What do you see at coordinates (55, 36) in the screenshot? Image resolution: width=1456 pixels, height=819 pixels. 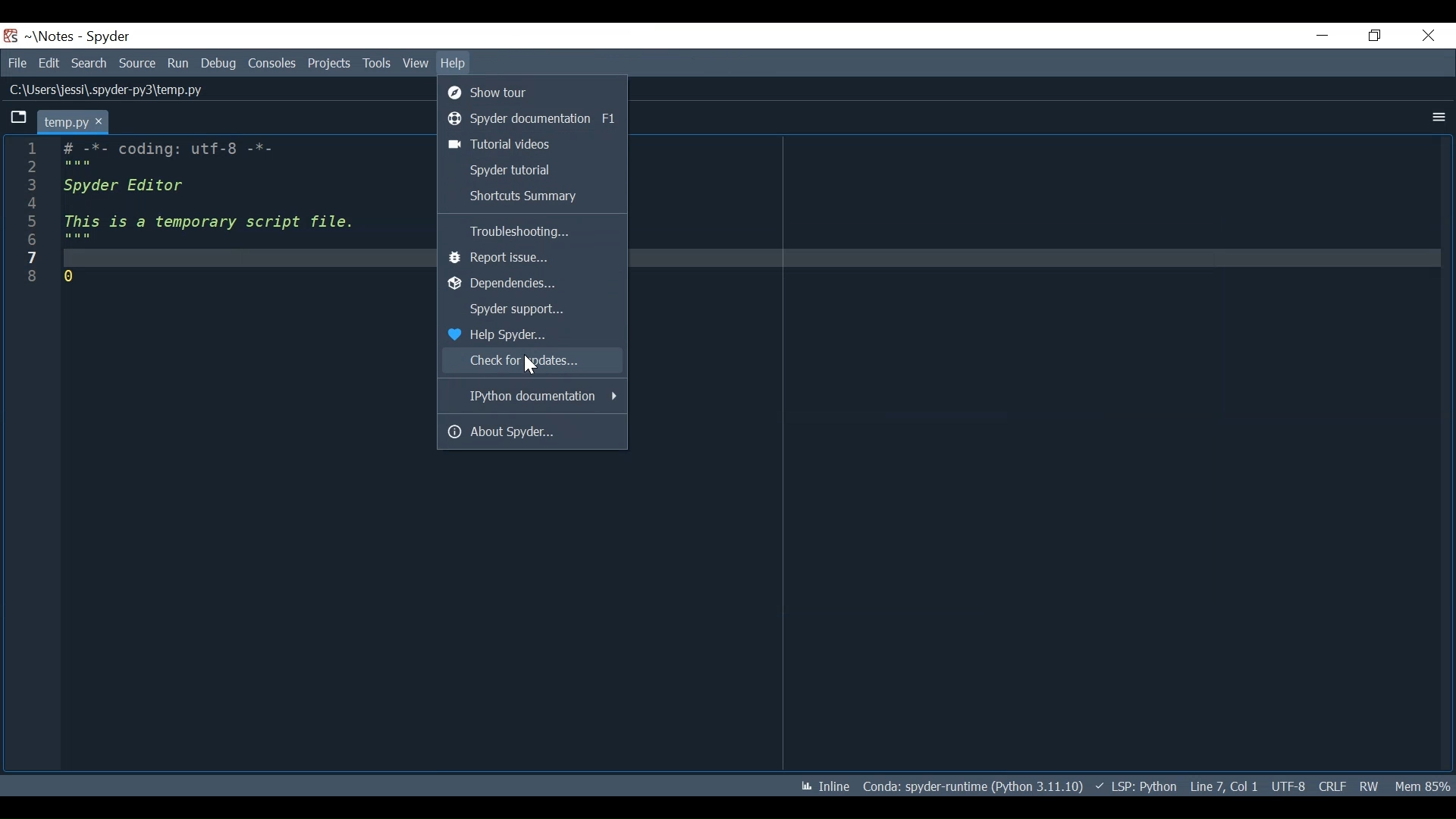 I see `Projects Name` at bounding box center [55, 36].